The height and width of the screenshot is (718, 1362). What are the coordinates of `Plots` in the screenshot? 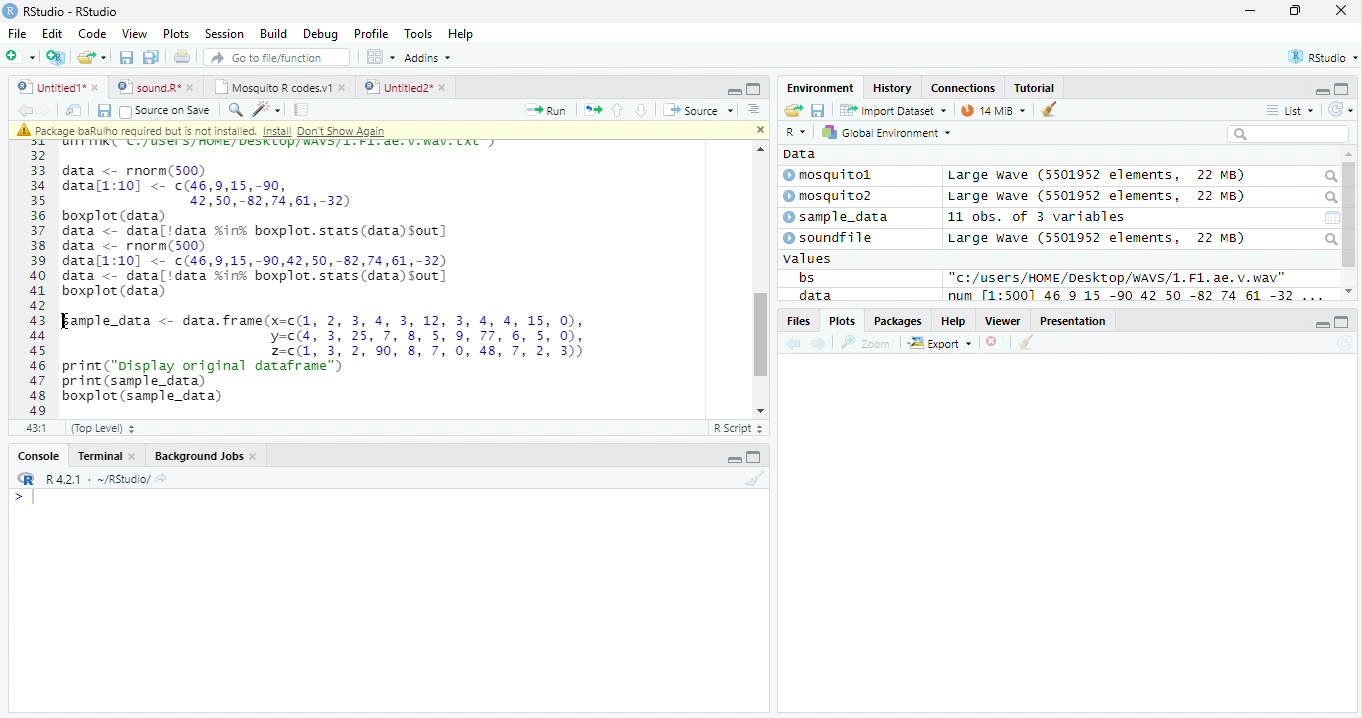 It's located at (841, 321).